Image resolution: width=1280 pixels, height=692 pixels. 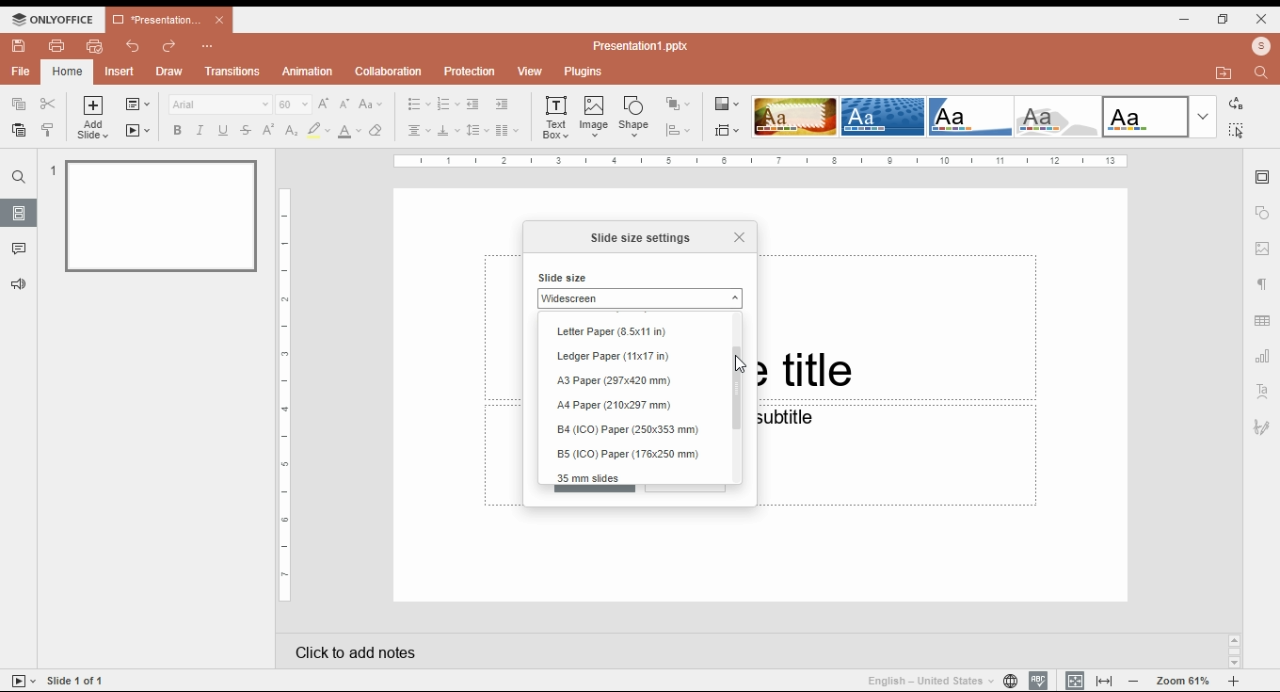 What do you see at coordinates (20, 285) in the screenshot?
I see `feedback and support` at bounding box center [20, 285].